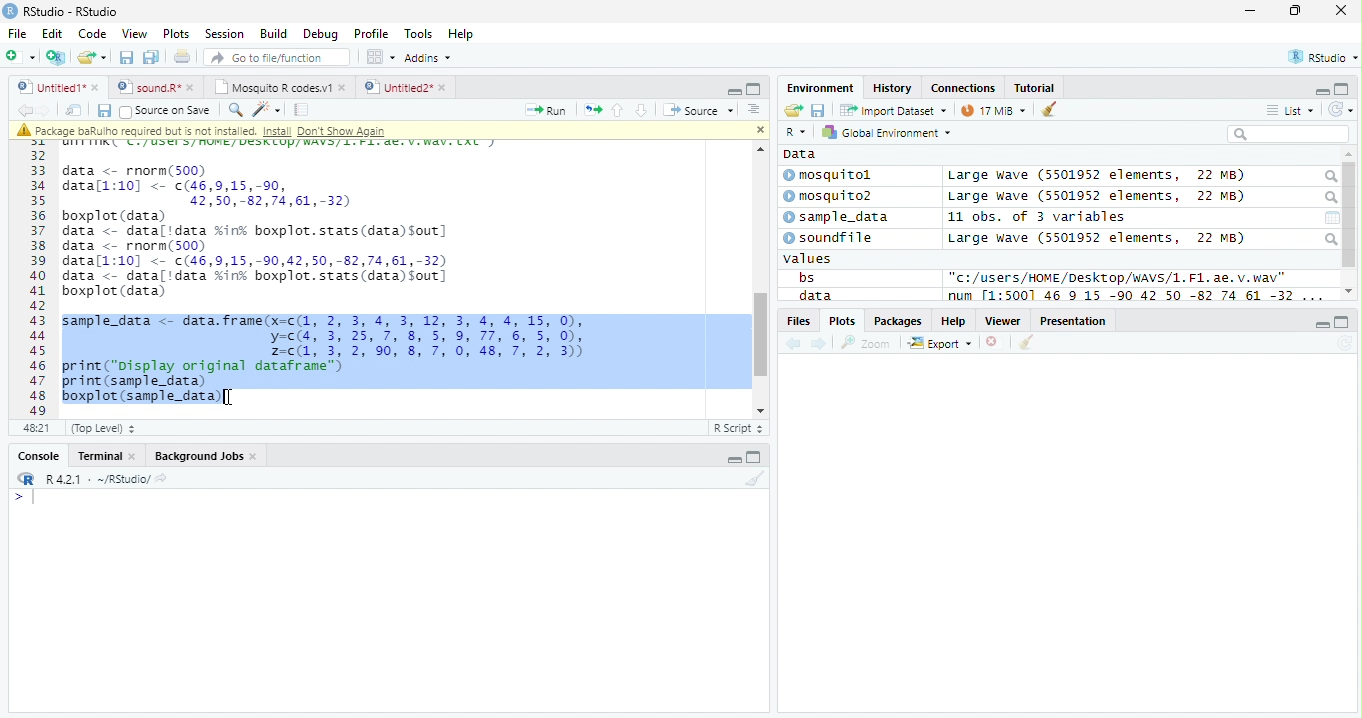 Image resolution: width=1362 pixels, height=718 pixels. What do you see at coordinates (940, 344) in the screenshot?
I see `Export` at bounding box center [940, 344].